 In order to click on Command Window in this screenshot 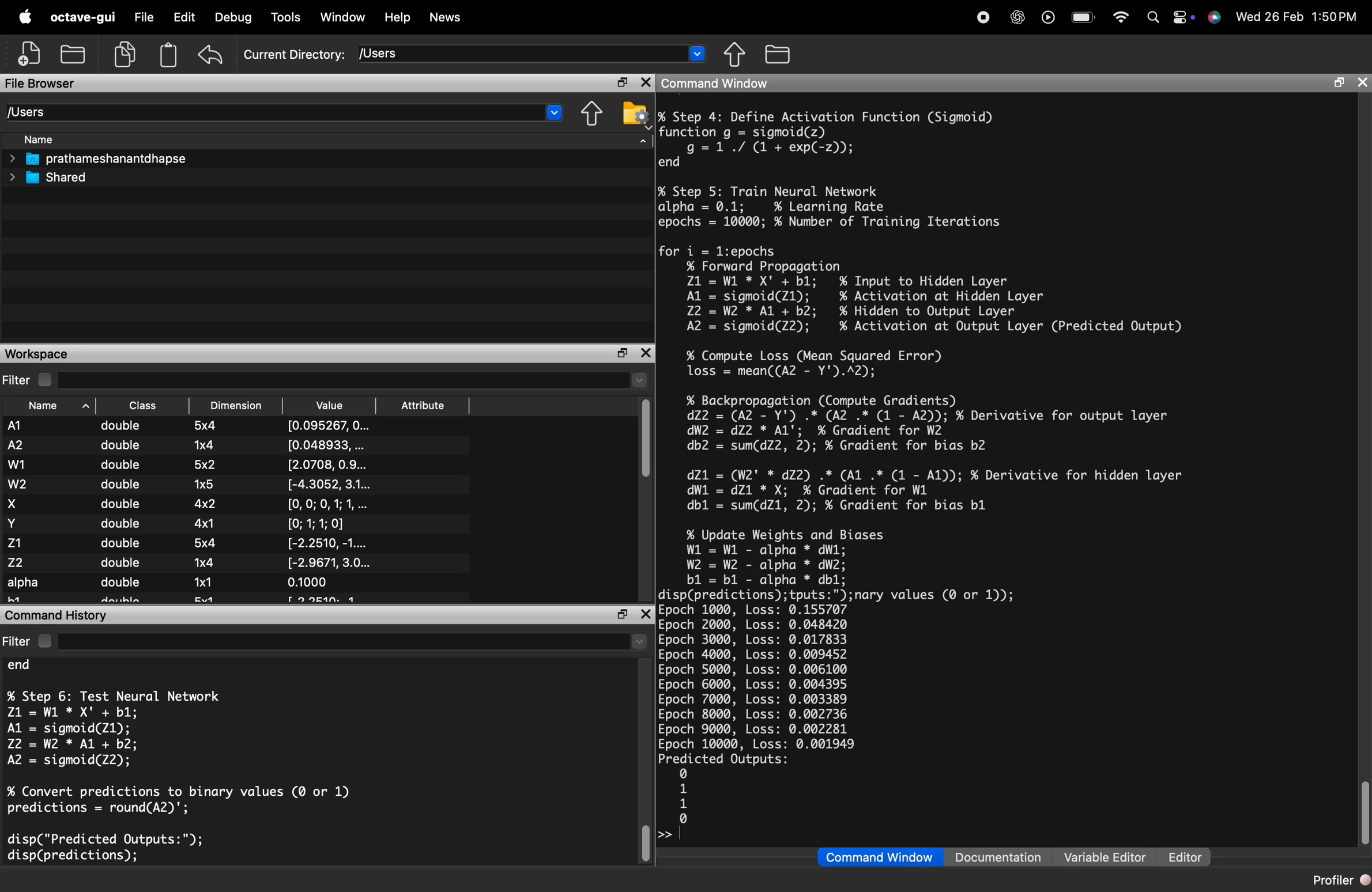, I will do `click(717, 83)`.